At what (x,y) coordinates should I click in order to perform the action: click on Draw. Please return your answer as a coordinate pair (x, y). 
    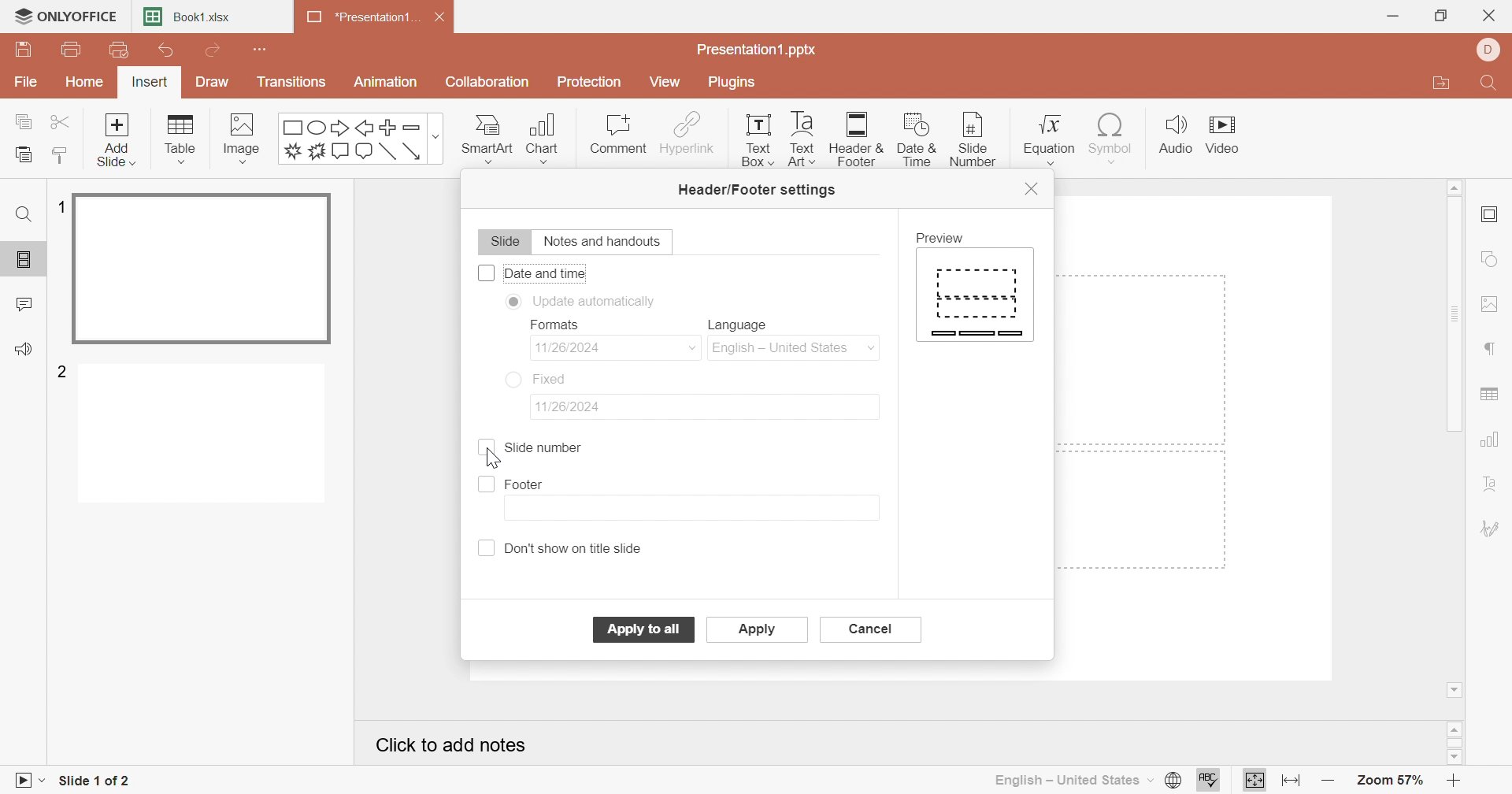
    Looking at the image, I should click on (209, 82).